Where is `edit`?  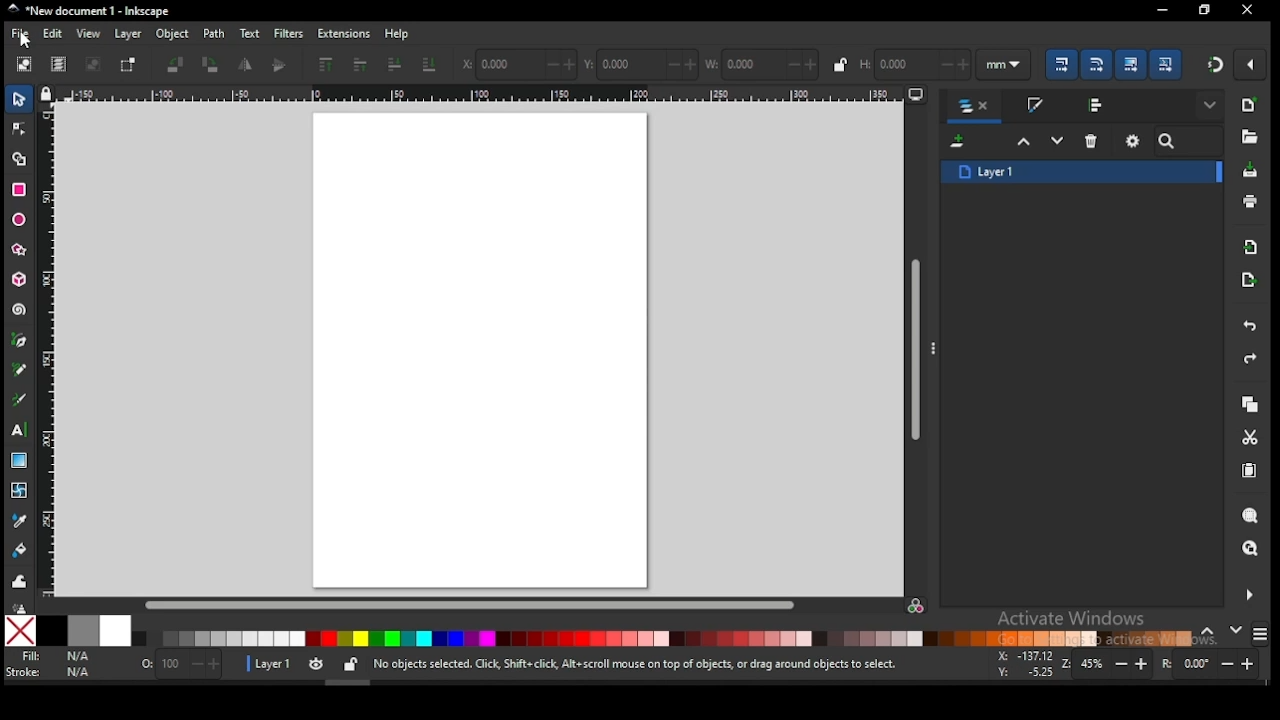 edit is located at coordinates (56, 34).